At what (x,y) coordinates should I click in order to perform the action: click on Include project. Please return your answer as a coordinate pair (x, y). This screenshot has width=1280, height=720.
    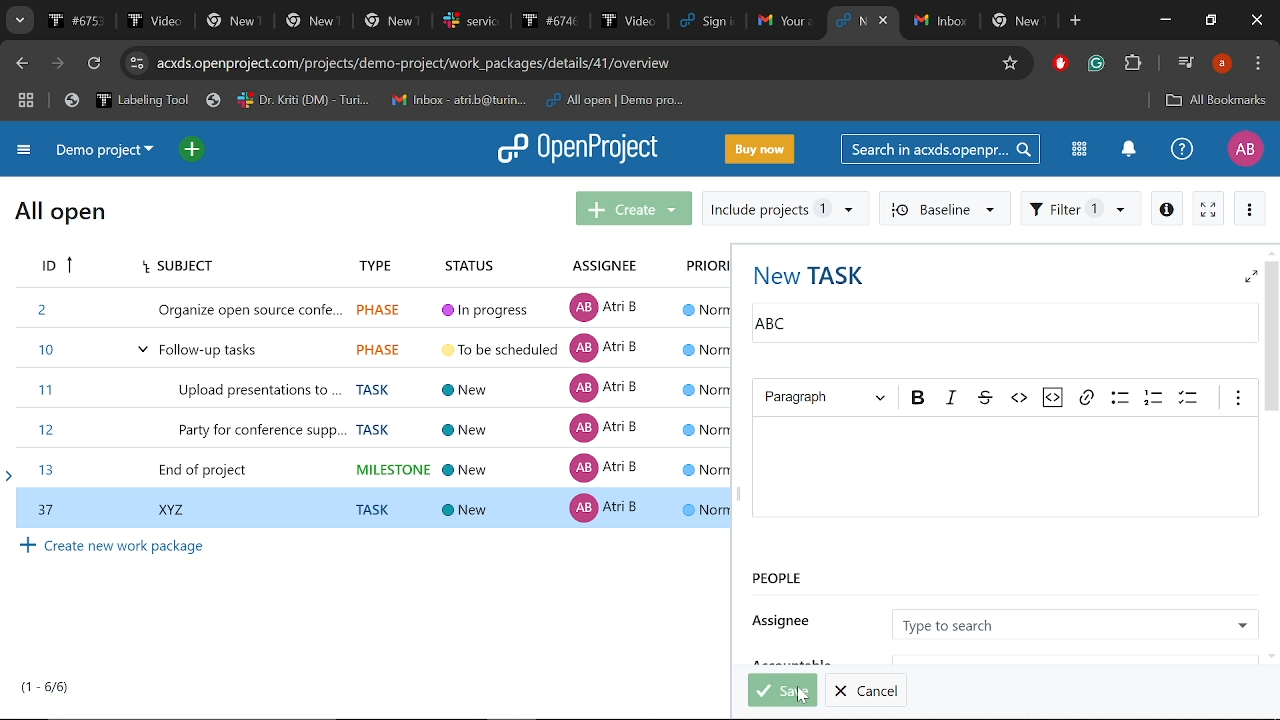
    Looking at the image, I should click on (785, 209).